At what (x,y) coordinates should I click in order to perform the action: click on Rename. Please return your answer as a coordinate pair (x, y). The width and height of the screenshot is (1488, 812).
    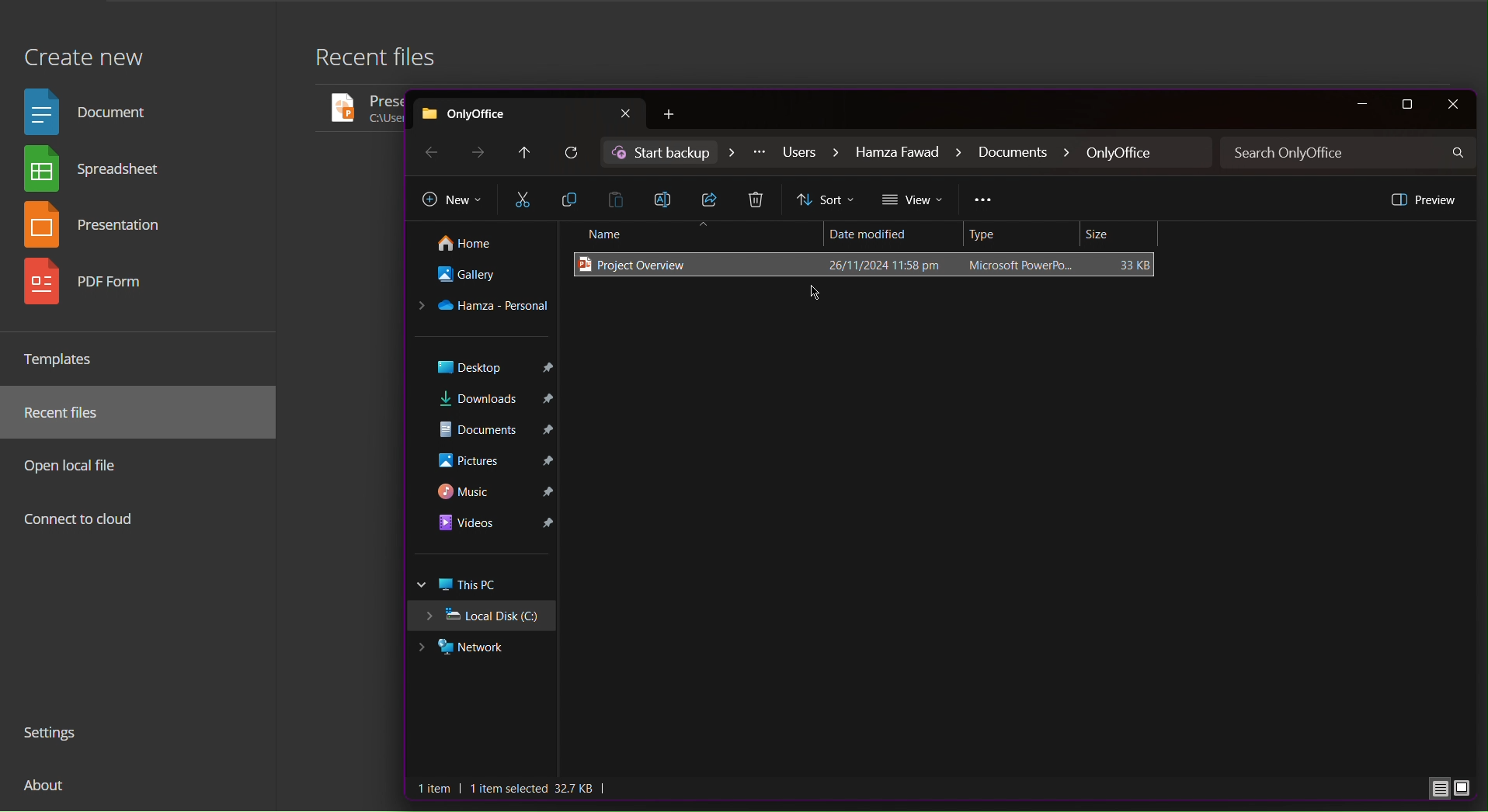
    Looking at the image, I should click on (668, 198).